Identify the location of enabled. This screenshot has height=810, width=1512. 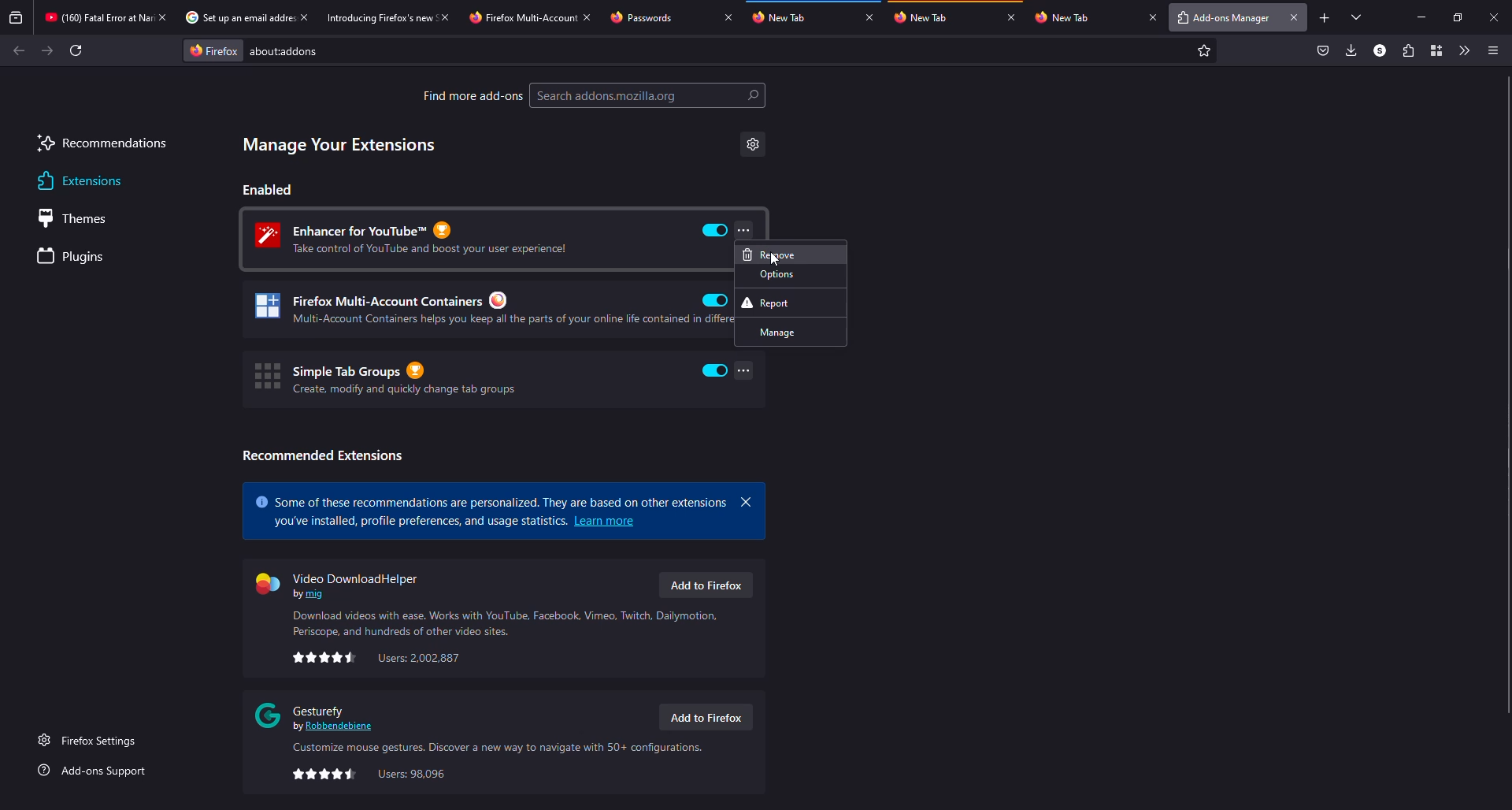
(715, 370).